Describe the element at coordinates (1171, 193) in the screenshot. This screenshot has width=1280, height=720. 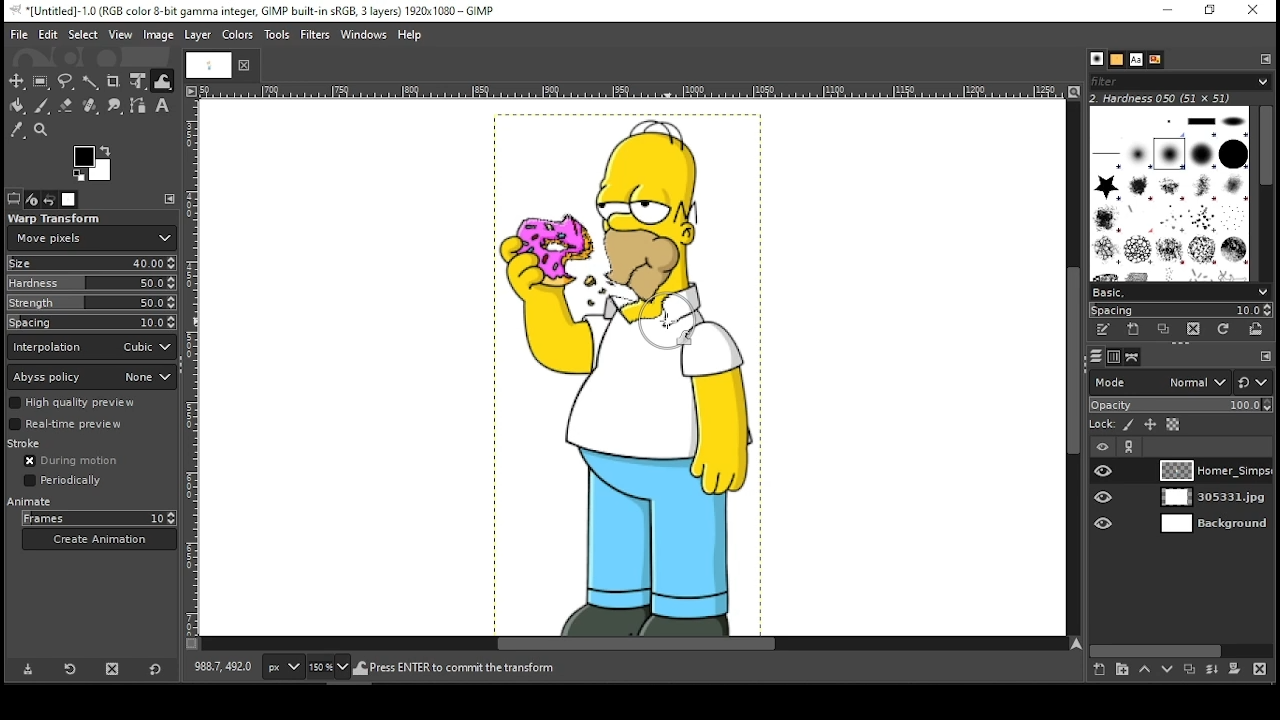
I see `brushes` at that location.